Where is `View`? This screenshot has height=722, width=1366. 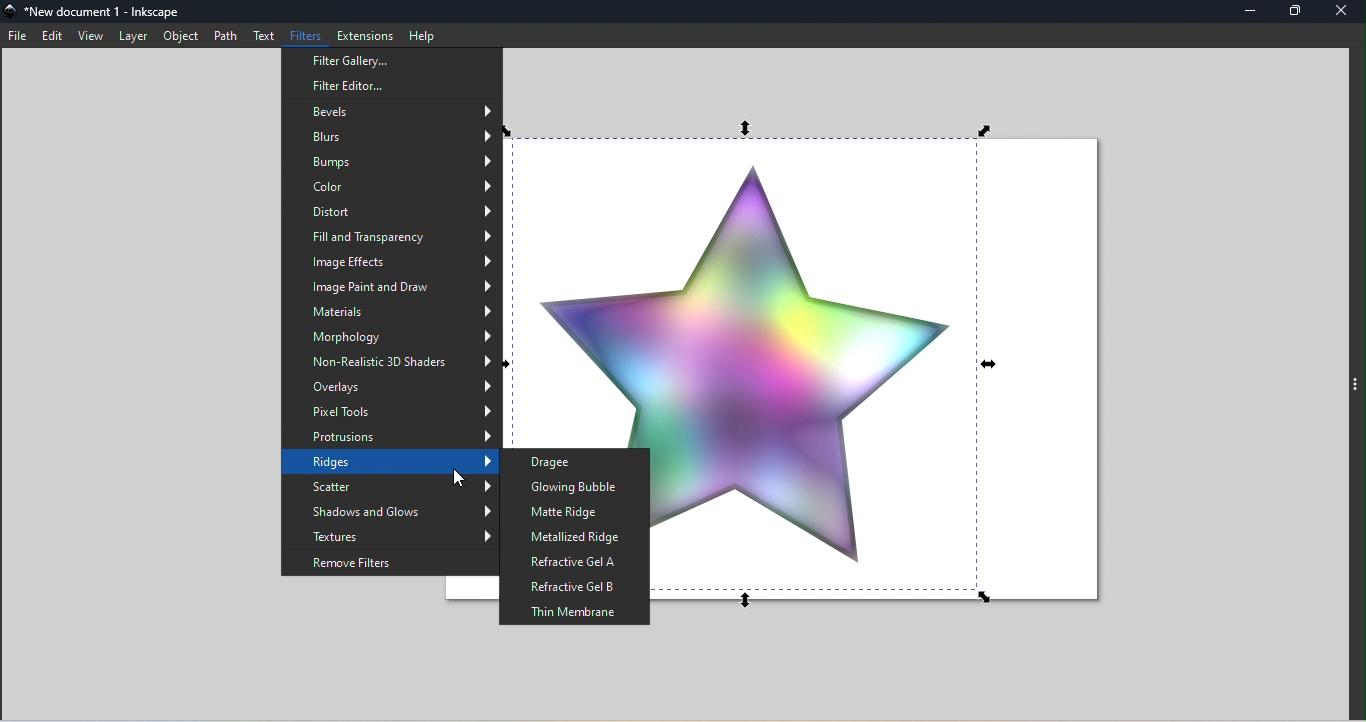 View is located at coordinates (93, 37).